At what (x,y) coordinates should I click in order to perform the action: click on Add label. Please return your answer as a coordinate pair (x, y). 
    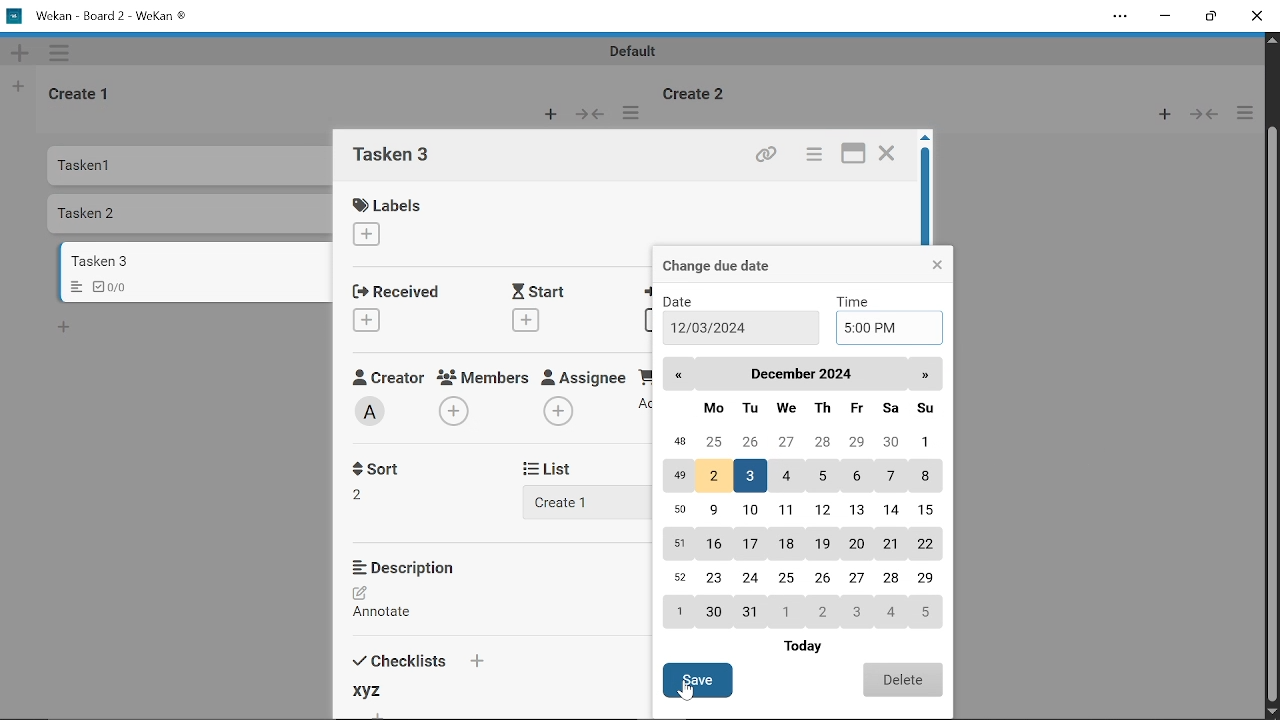
    Looking at the image, I should click on (376, 236).